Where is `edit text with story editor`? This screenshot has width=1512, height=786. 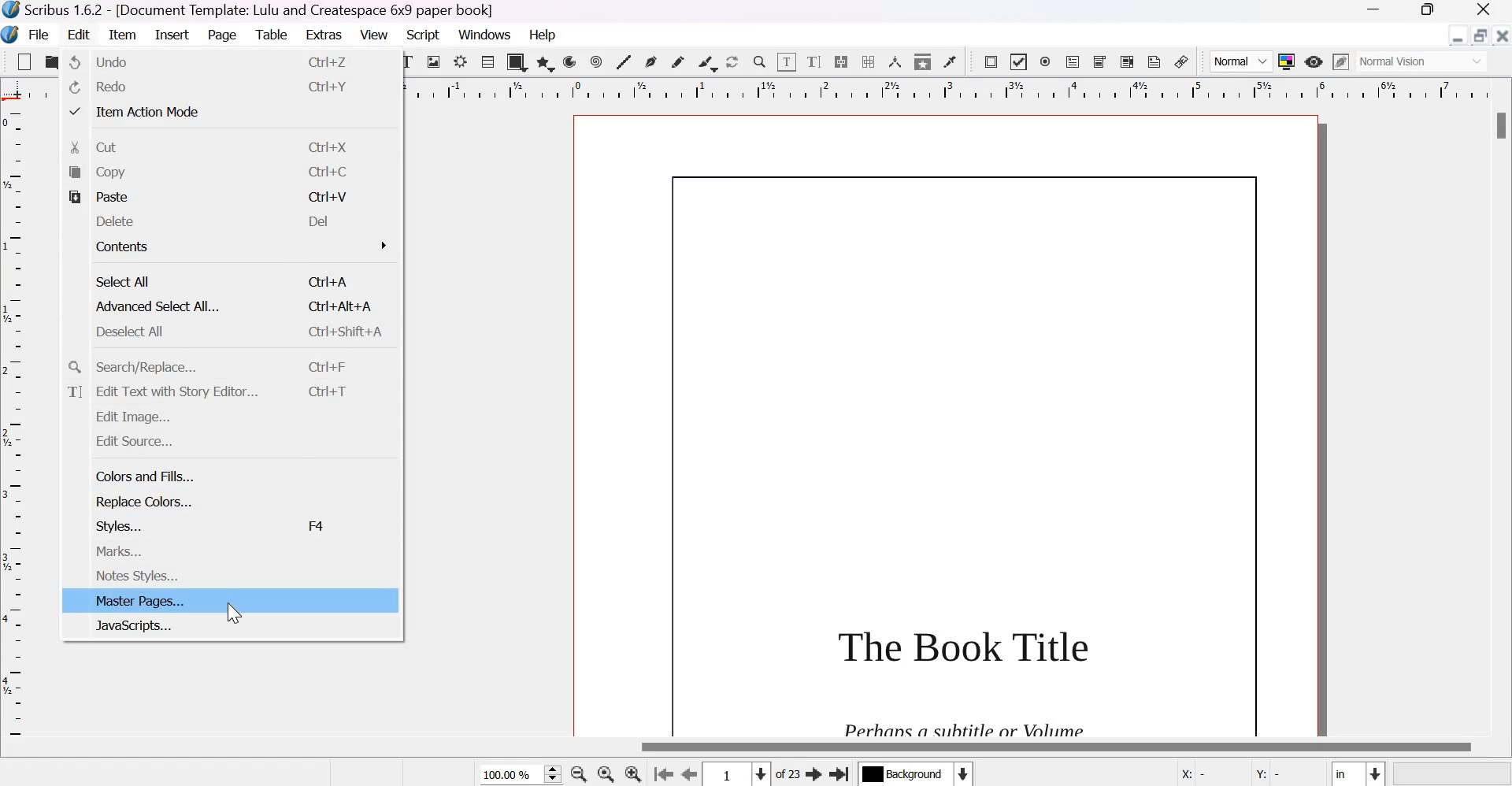
edit text with story editor is located at coordinates (814, 62).